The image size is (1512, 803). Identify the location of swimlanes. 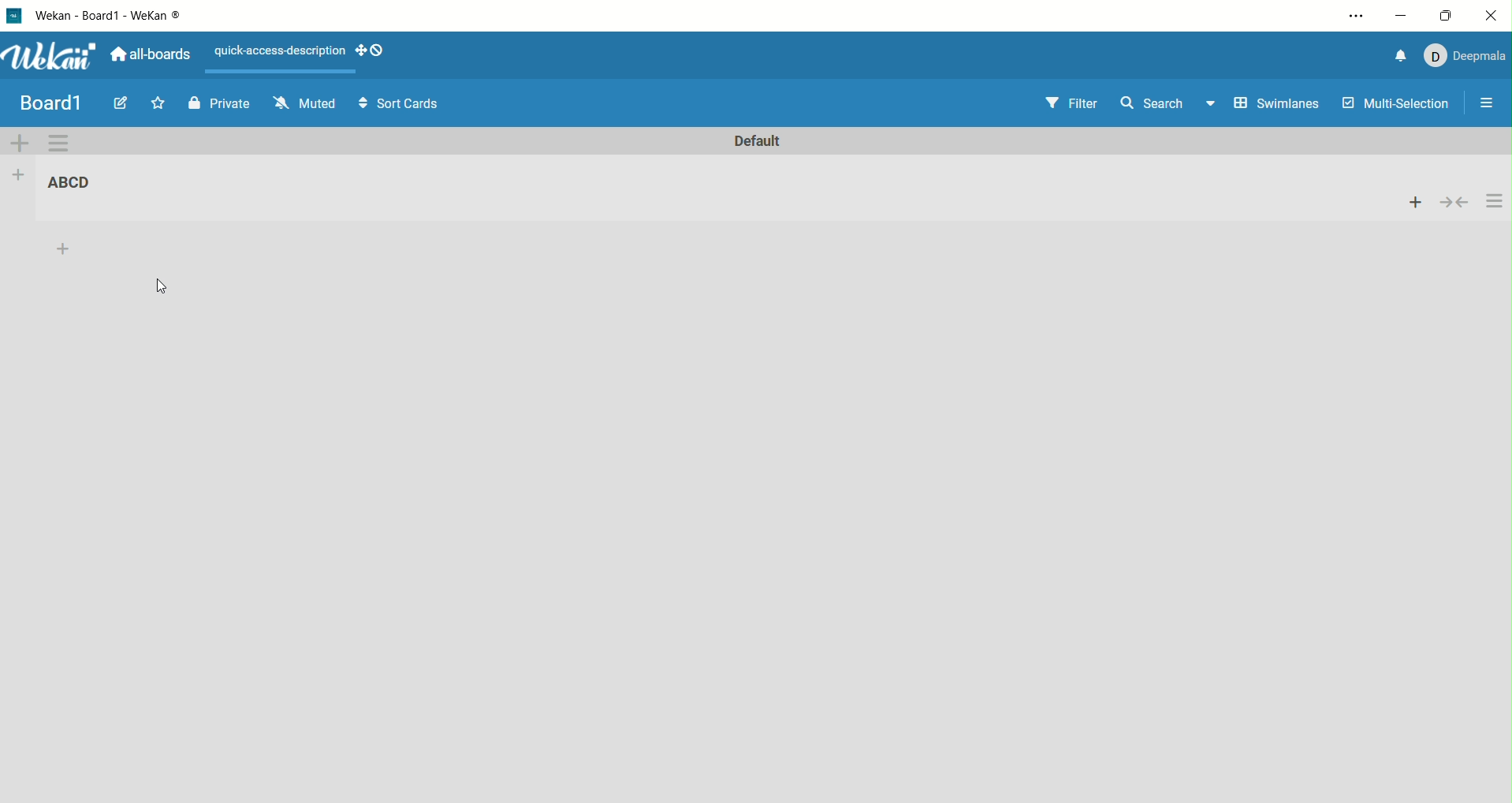
(1275, 106).